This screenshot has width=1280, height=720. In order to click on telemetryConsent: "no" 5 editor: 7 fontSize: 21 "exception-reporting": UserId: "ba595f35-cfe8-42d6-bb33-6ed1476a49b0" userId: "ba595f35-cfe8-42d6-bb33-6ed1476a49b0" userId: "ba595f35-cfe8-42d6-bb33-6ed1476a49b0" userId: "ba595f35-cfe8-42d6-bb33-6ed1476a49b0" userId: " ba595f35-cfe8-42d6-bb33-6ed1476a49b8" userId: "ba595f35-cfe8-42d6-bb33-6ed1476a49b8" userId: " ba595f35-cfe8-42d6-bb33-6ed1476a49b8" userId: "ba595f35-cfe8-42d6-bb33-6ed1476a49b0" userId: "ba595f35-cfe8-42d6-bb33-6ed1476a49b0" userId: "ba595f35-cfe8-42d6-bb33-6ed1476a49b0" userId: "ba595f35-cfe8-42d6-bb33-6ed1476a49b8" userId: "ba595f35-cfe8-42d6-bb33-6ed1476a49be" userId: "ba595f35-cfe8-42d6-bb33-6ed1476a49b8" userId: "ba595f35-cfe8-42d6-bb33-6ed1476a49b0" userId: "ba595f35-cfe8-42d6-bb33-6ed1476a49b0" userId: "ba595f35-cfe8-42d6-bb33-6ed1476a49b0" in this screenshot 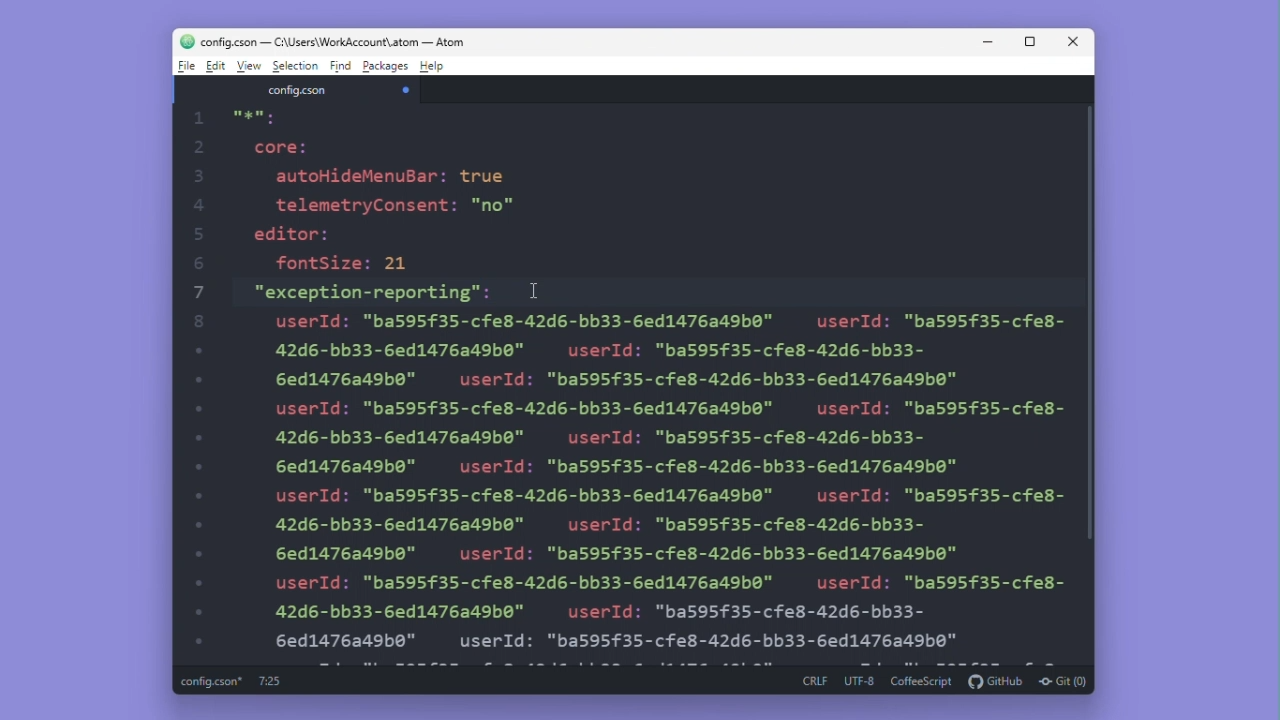, I will do `click(649, 428)`.